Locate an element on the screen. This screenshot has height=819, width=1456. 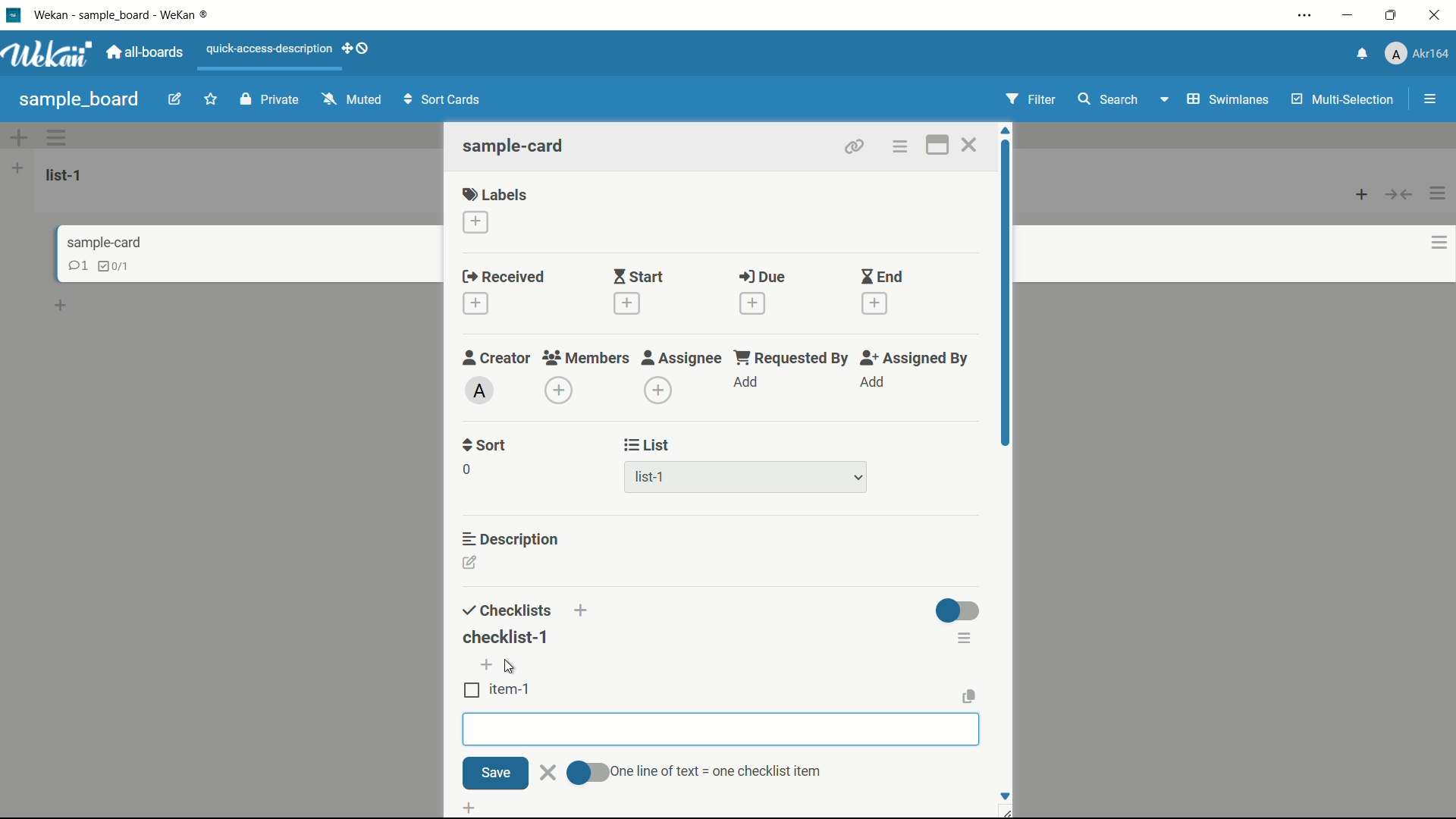
add member is located at coordinates (561, 391).